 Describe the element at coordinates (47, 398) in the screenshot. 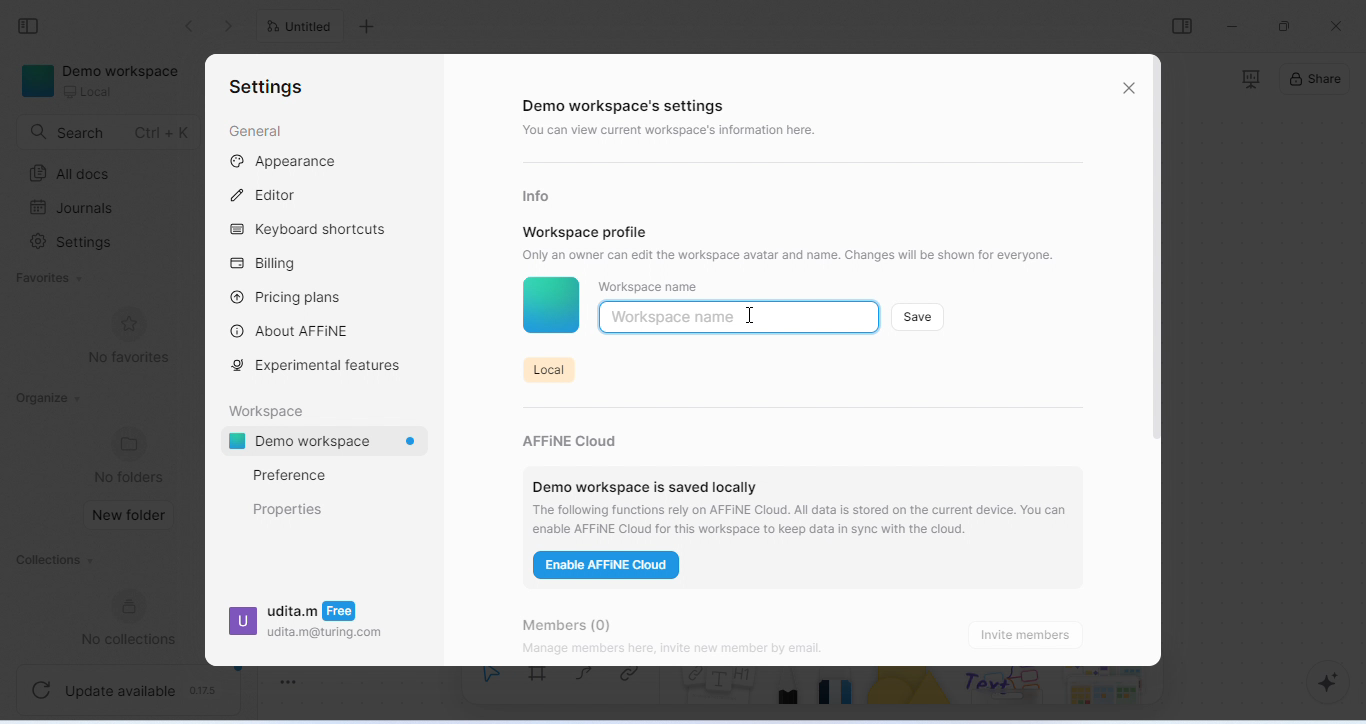

I see `organize` at that location.